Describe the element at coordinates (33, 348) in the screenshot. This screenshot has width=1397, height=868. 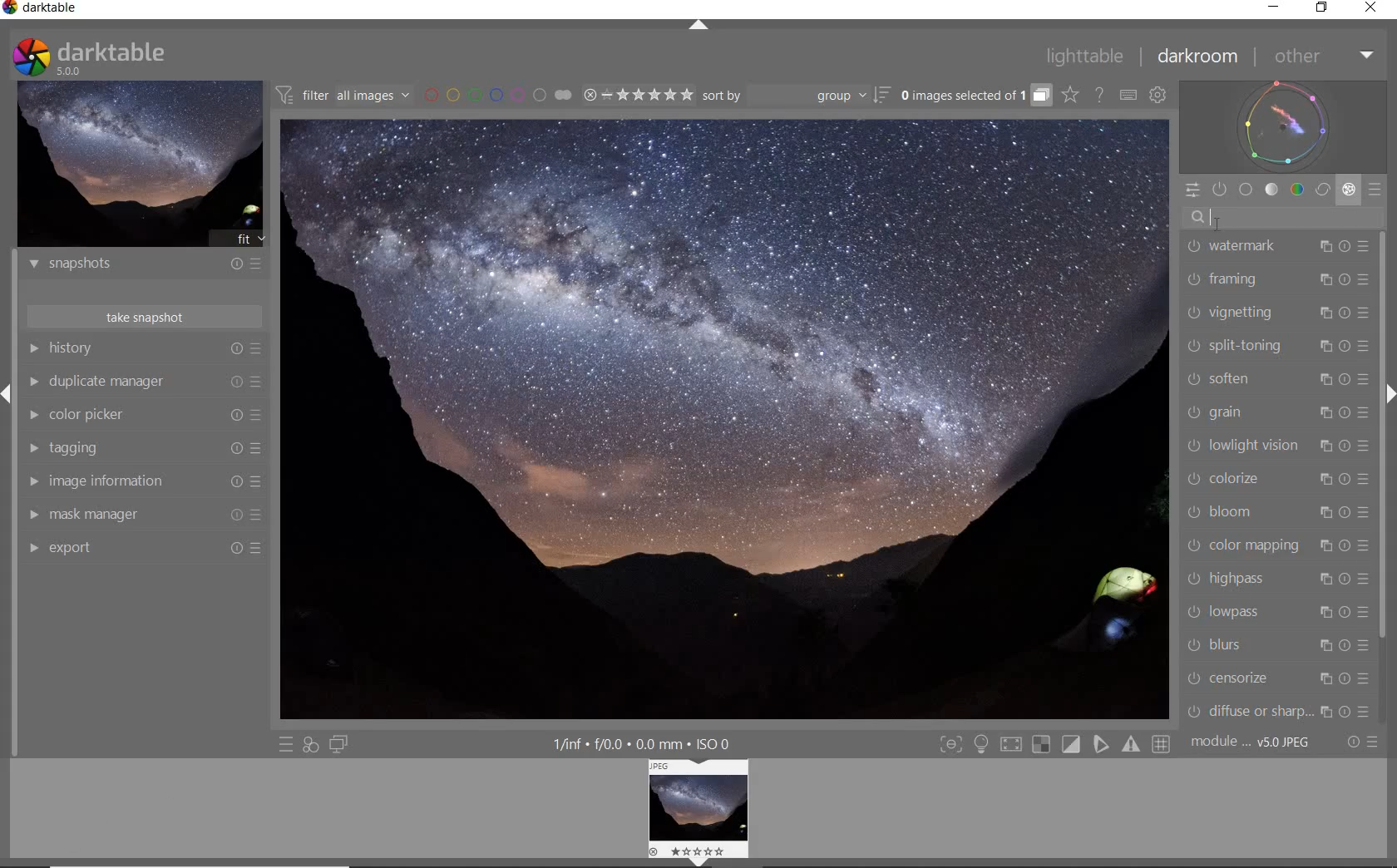
I see `HISTORY` at that location.